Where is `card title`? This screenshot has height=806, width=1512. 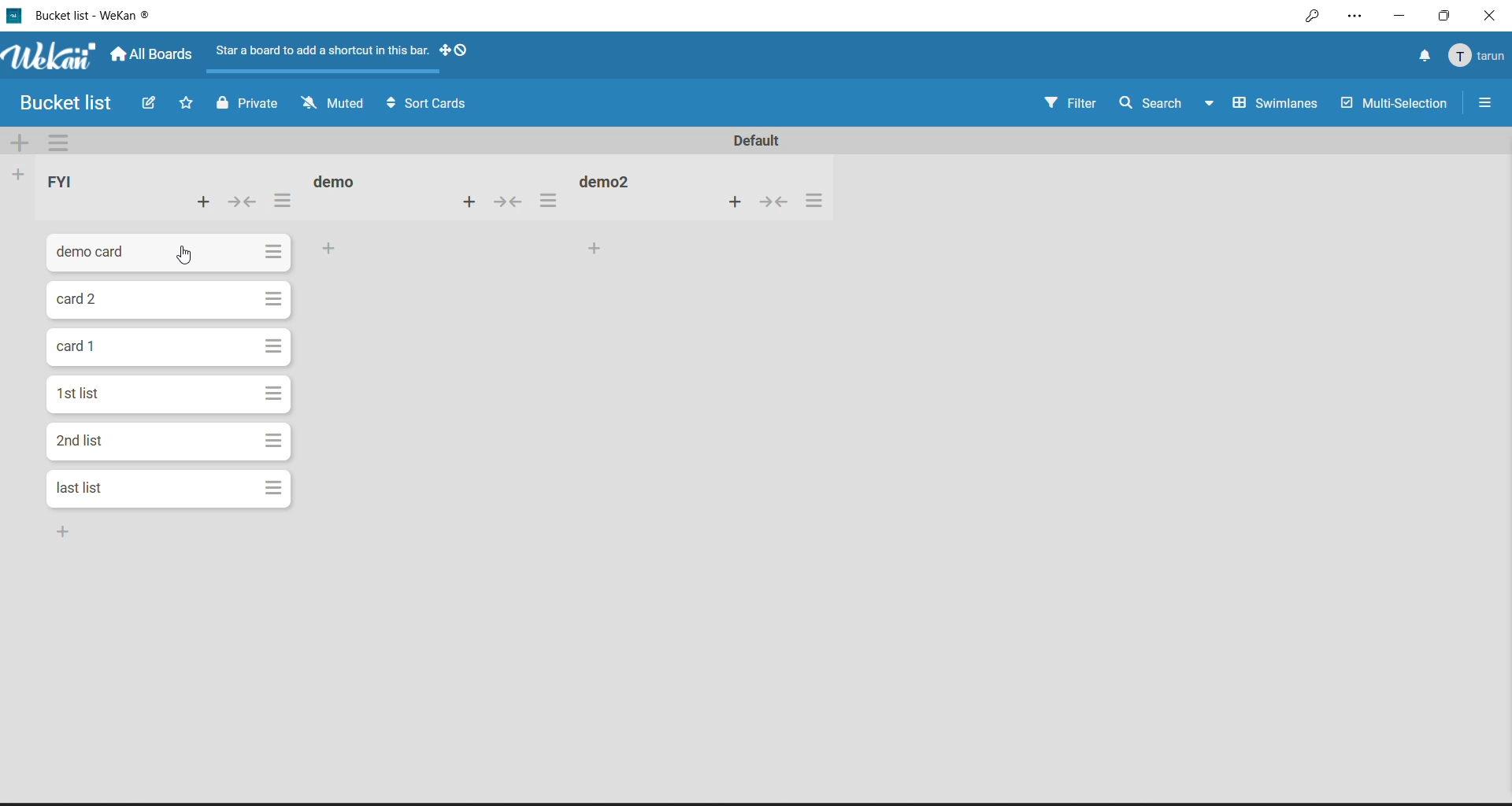
card title is located at coordinates (94, 255).